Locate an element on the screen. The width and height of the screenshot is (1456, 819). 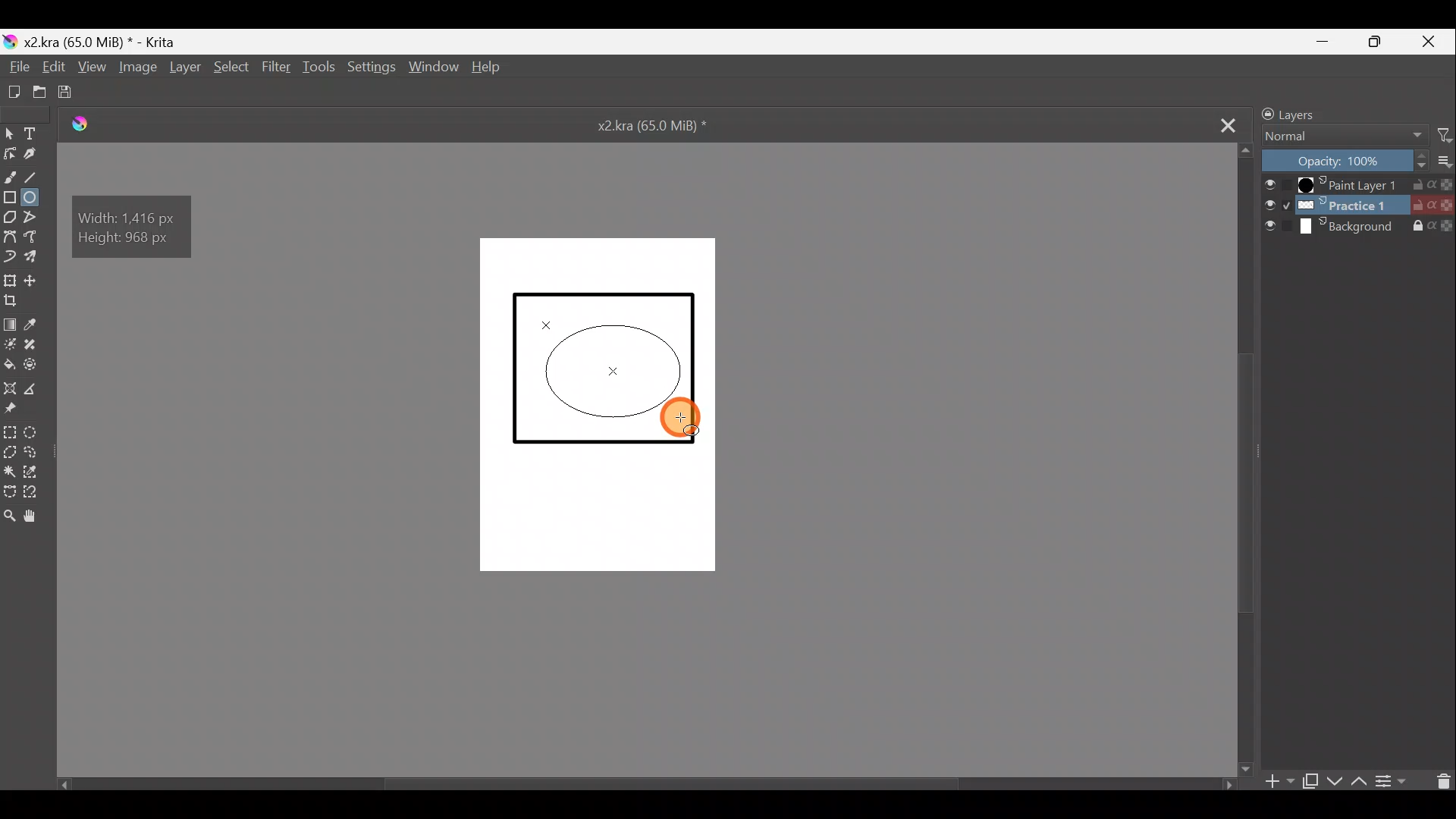
x2.kra (65.0 MiB) * - Krita is located at coordinates (108, 39).